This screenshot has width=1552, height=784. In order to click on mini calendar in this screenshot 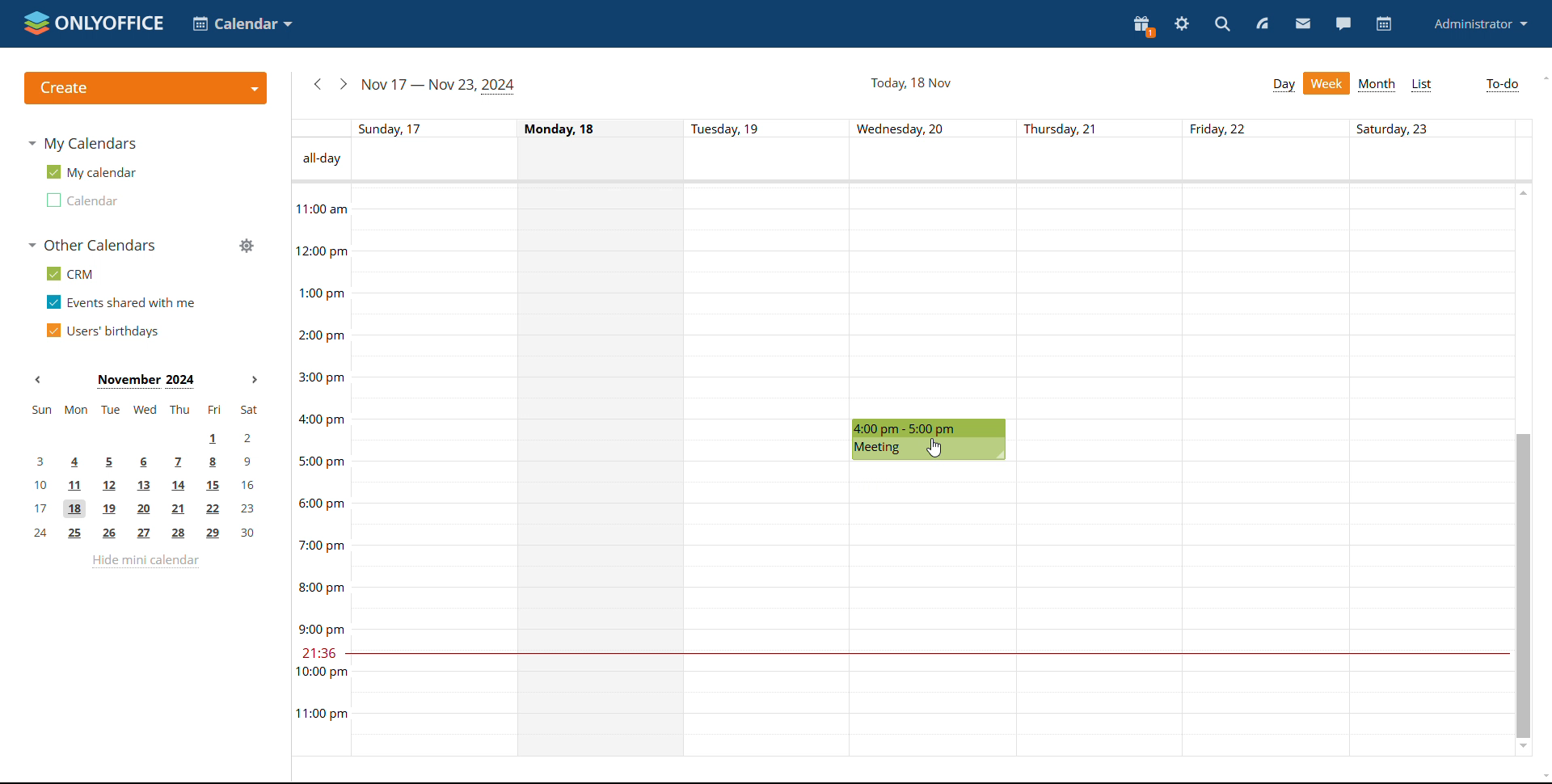, I will do `click(145, 472)`.